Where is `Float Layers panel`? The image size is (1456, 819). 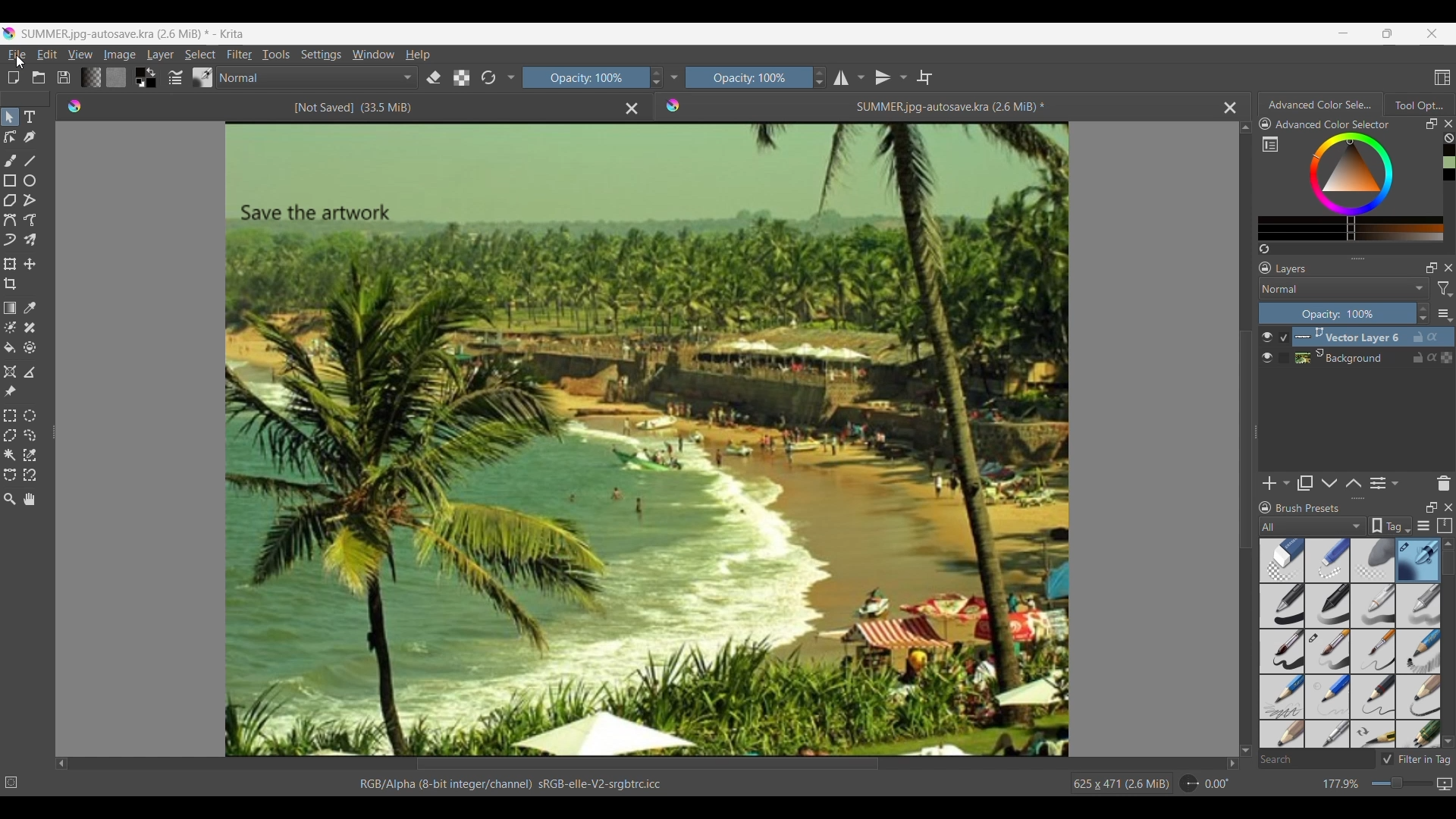 Float Layers panel is located at coordinates (1432, 268).